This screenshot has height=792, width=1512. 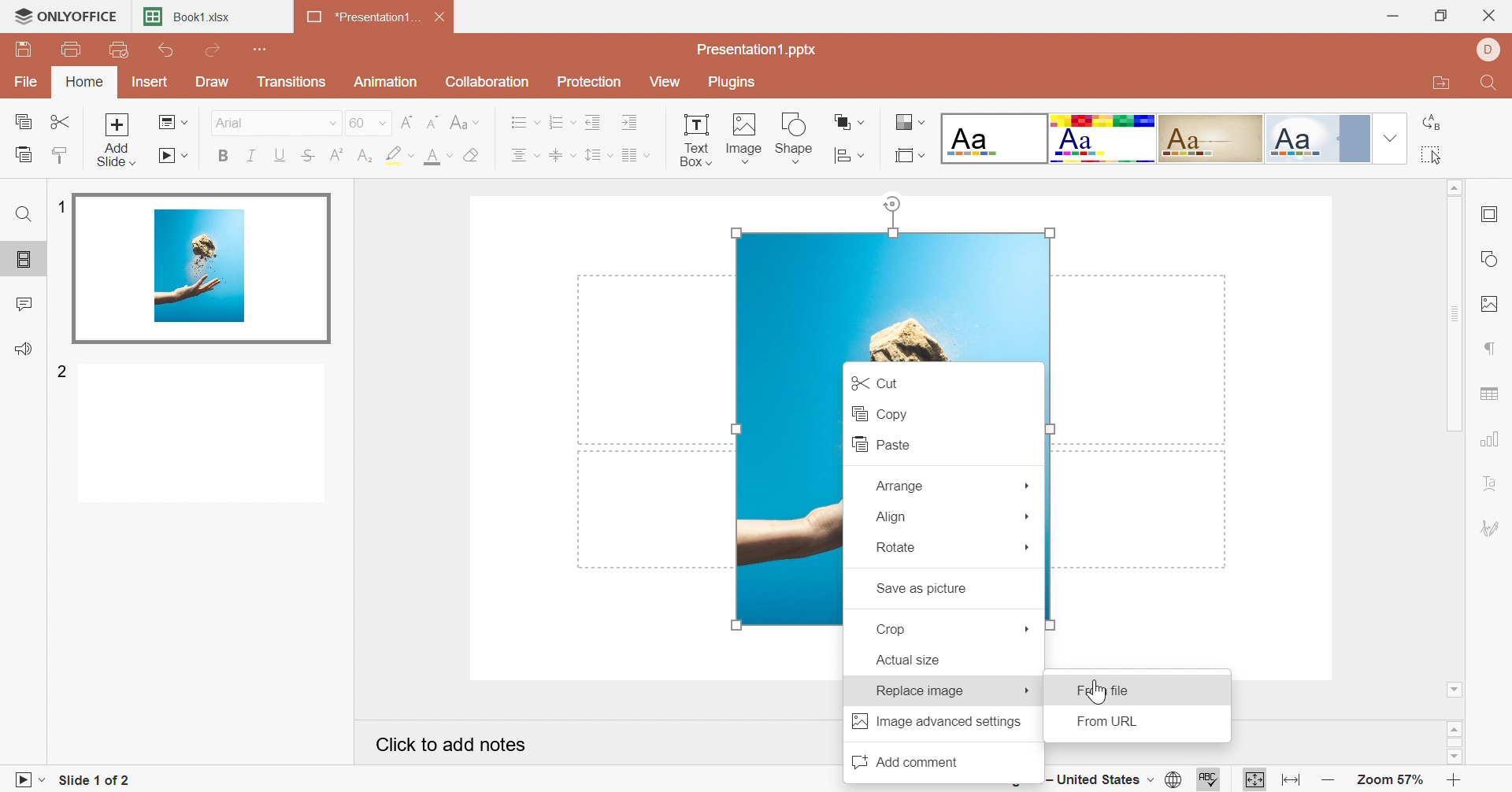 I want to click on Replace, so click(x=1432, y=122).